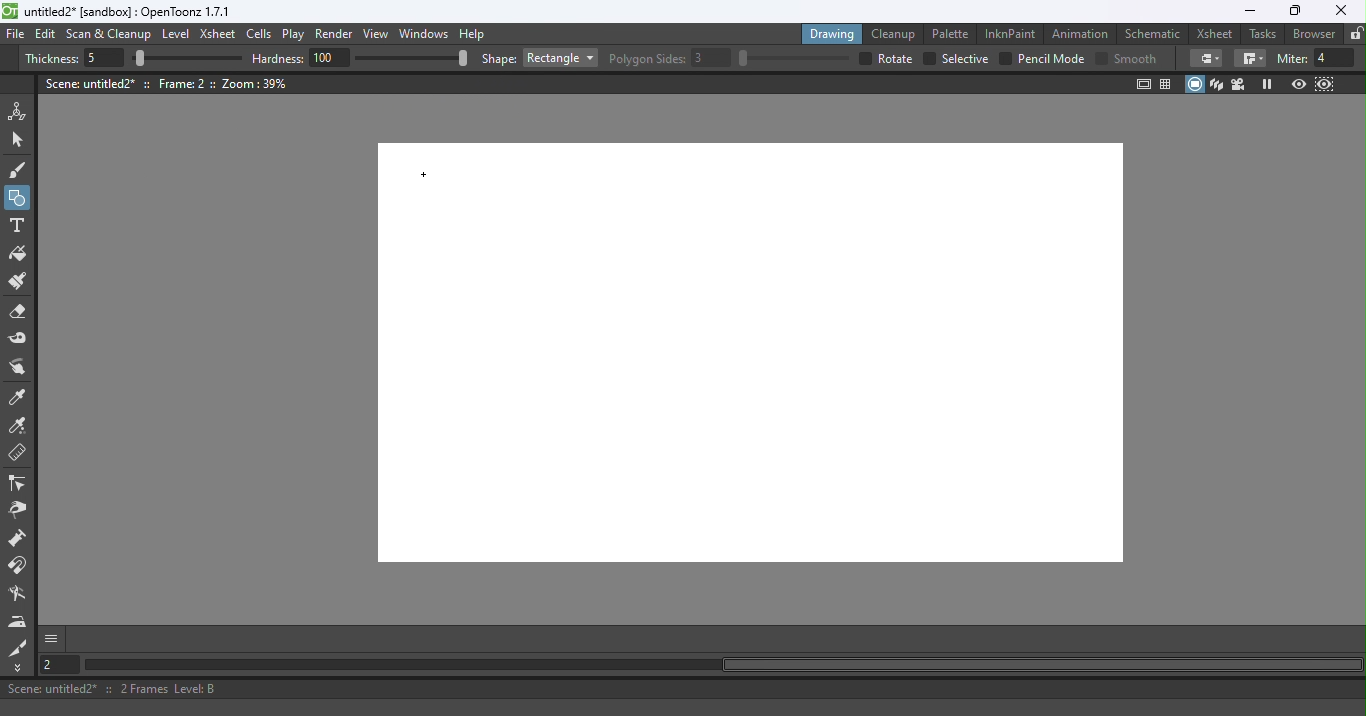  I want to click on Tasks, so click(1264, 34).